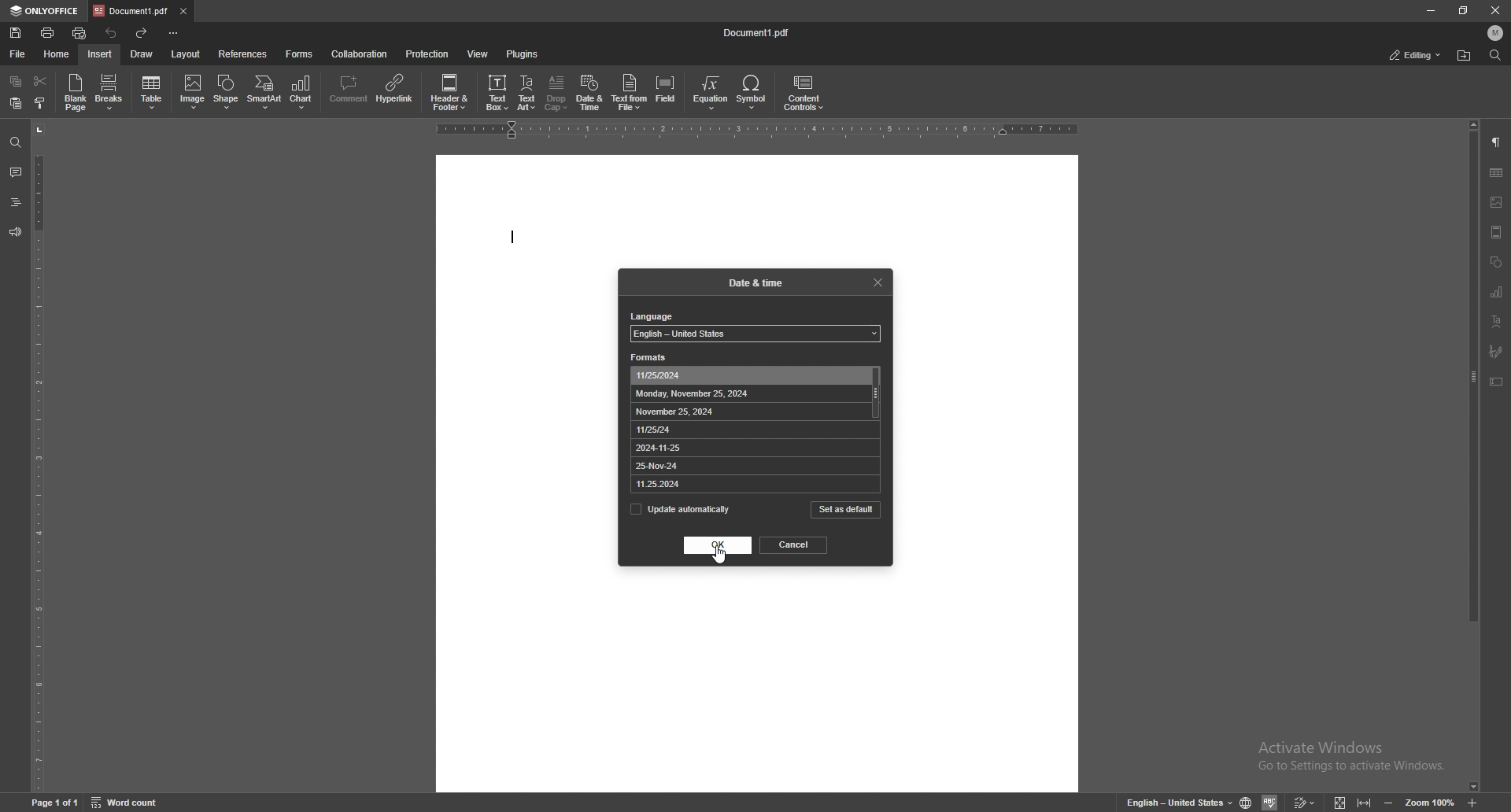  What do you see at coordinates (478, 54) in the screenshot?
I see `view` at bounding box center [478, 54].